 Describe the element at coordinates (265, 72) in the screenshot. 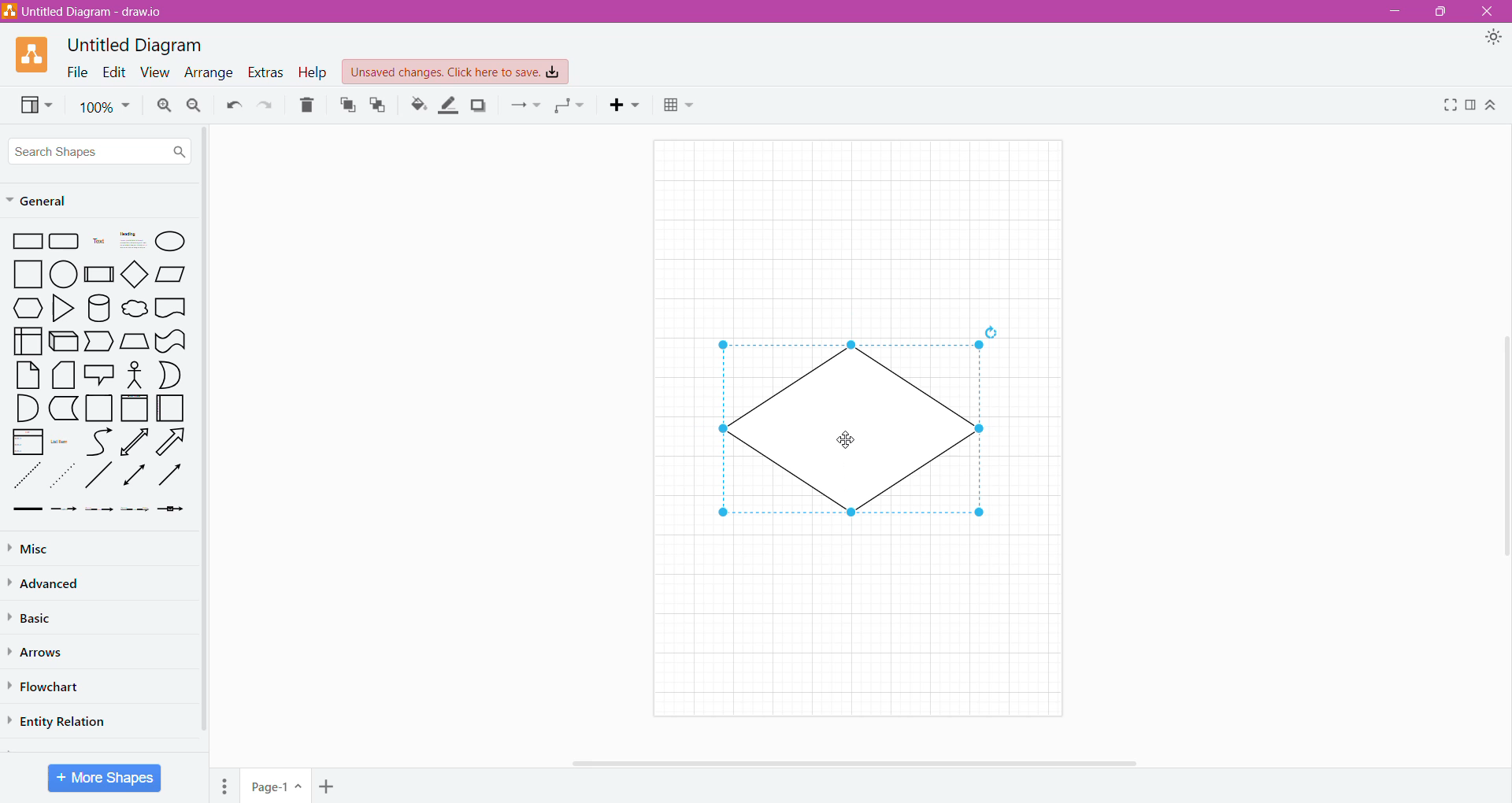

I see `Extras` at that location.